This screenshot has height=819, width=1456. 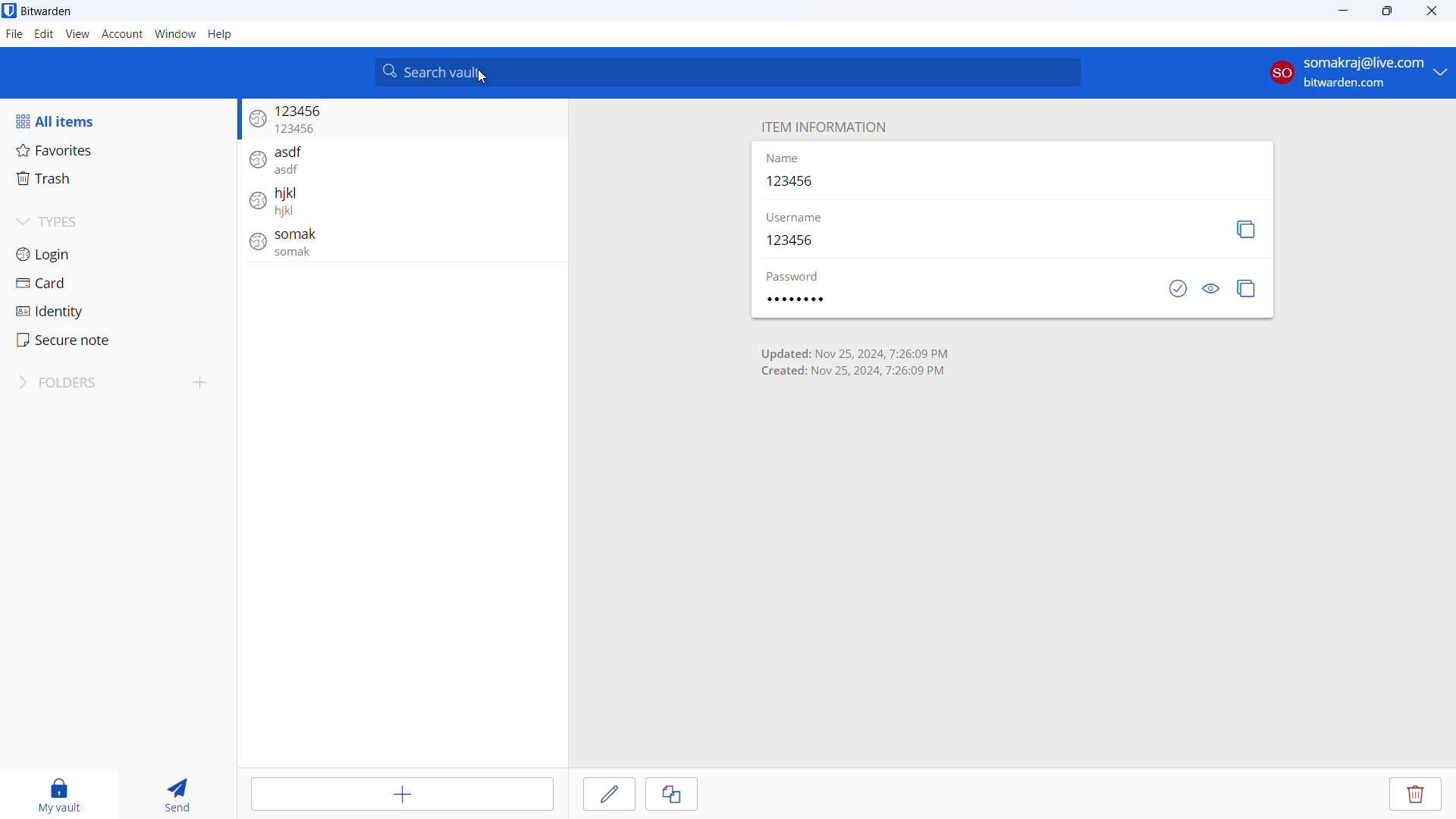 What do you see at coordinates (398, 160) in the screenshot?
I see `login entry: asdf` at bounding box center [398, 160].